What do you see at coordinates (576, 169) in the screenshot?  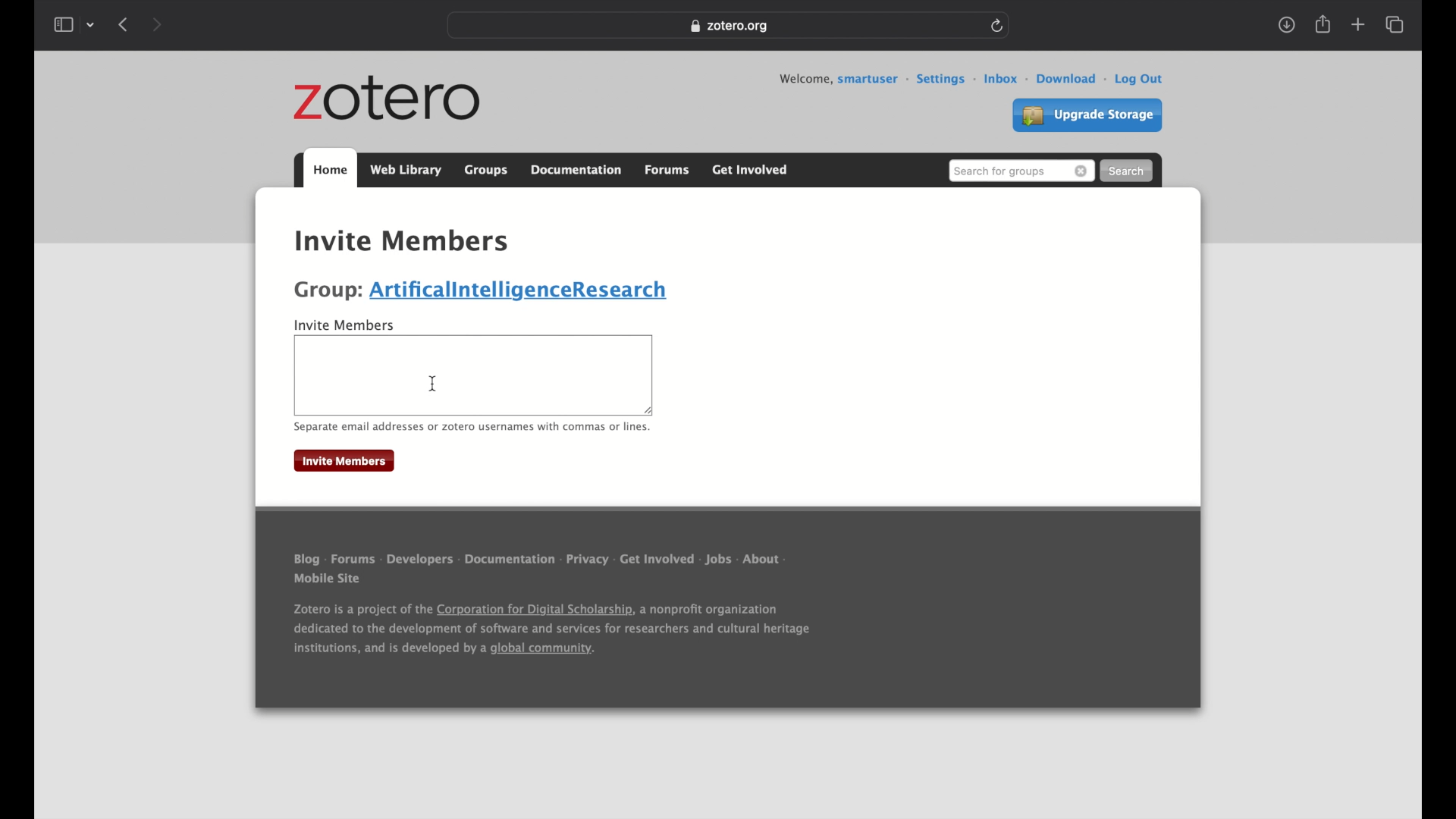 I see `documentation` at bounding box center [576, 169].